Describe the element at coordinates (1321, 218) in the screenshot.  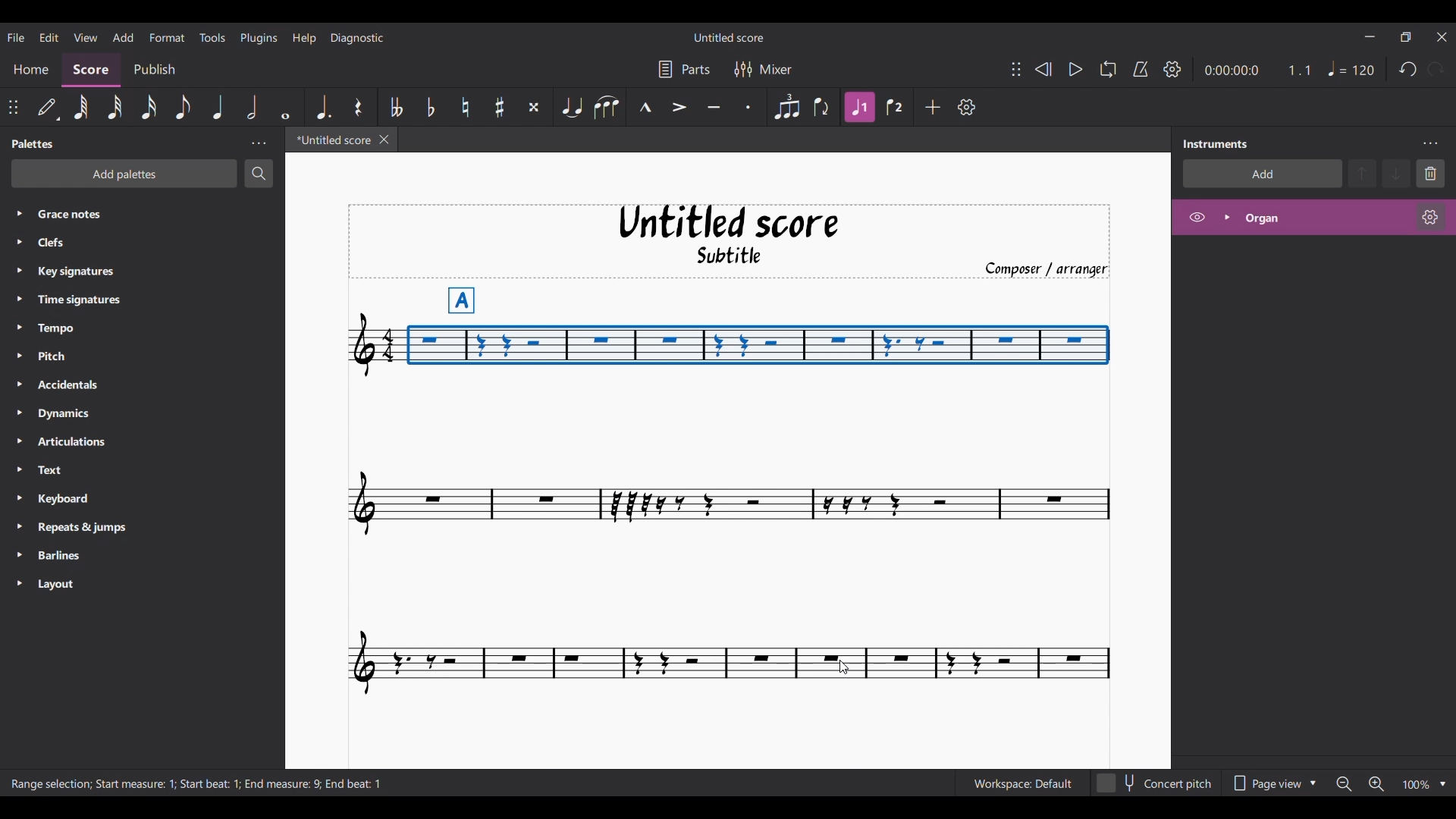
I see `Current instrument` at that location.